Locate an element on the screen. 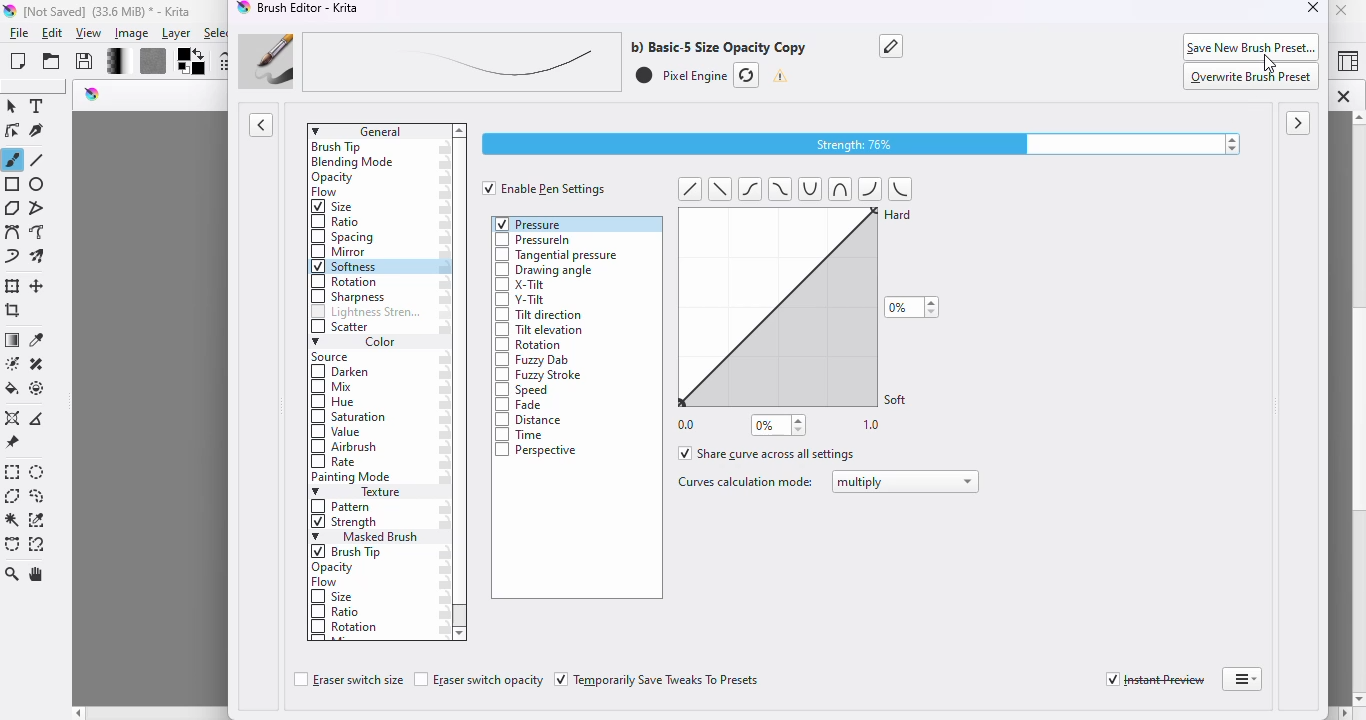  move a layer is located at coordinates (39, 287).